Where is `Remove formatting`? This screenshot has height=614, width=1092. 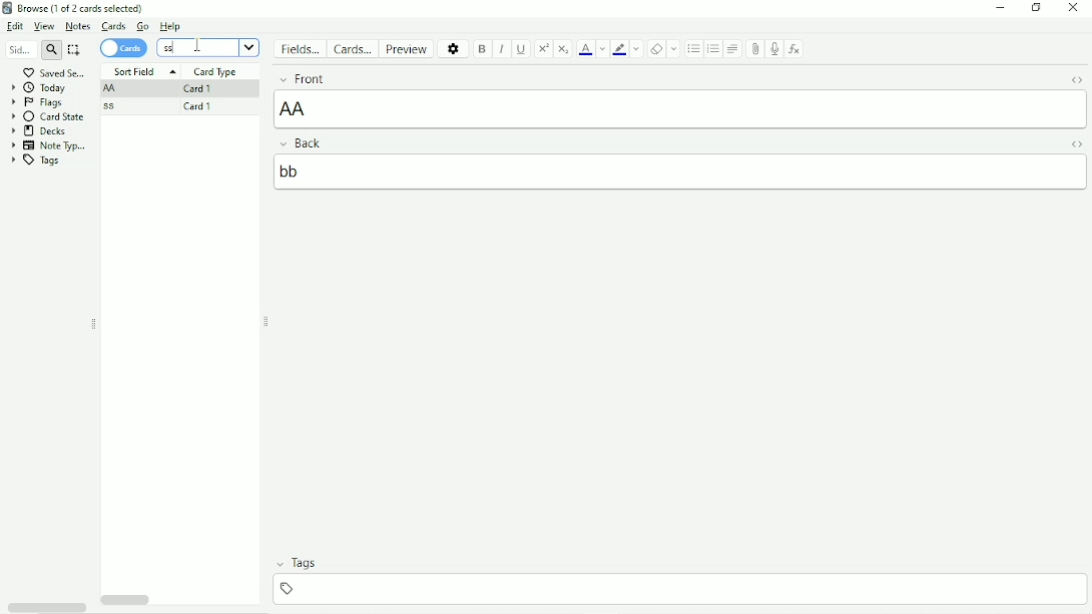
Remove formatting is located at coordinates (656, 49).